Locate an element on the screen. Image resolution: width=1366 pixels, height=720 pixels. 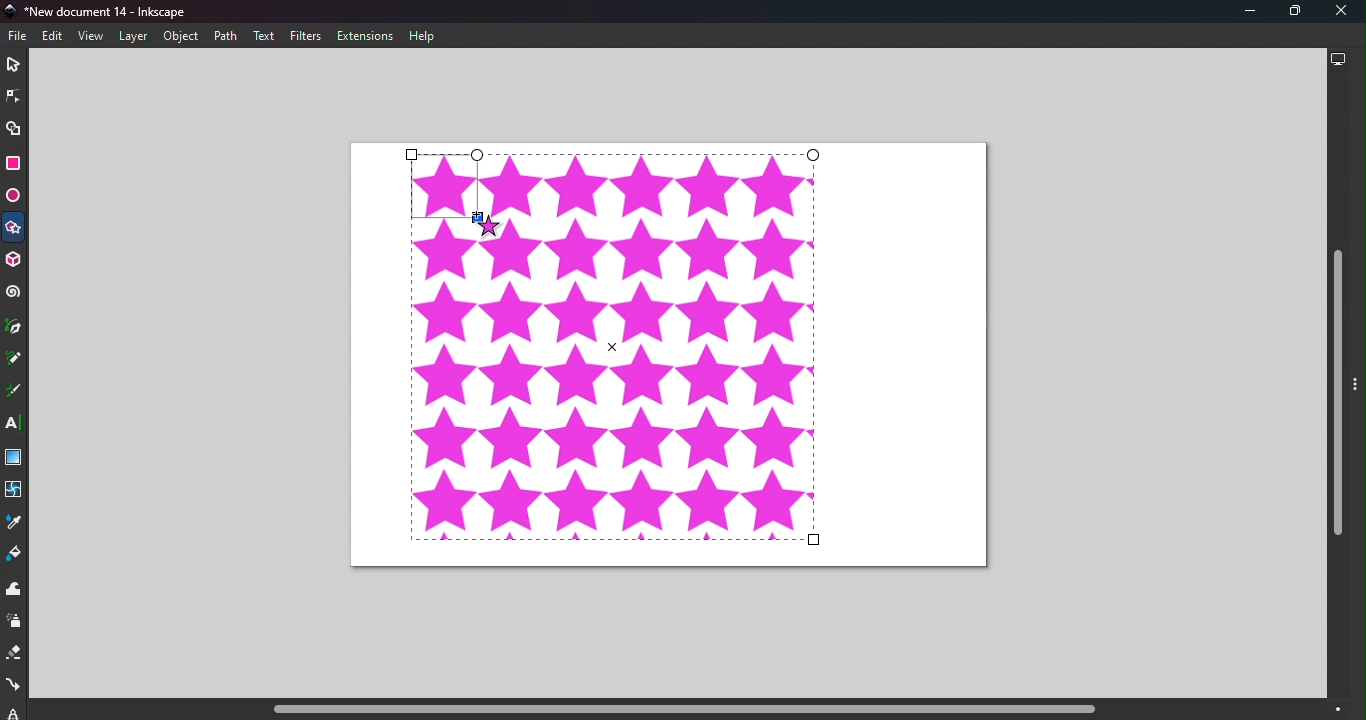
Maximize tool is located at coordinates (1290, 11).